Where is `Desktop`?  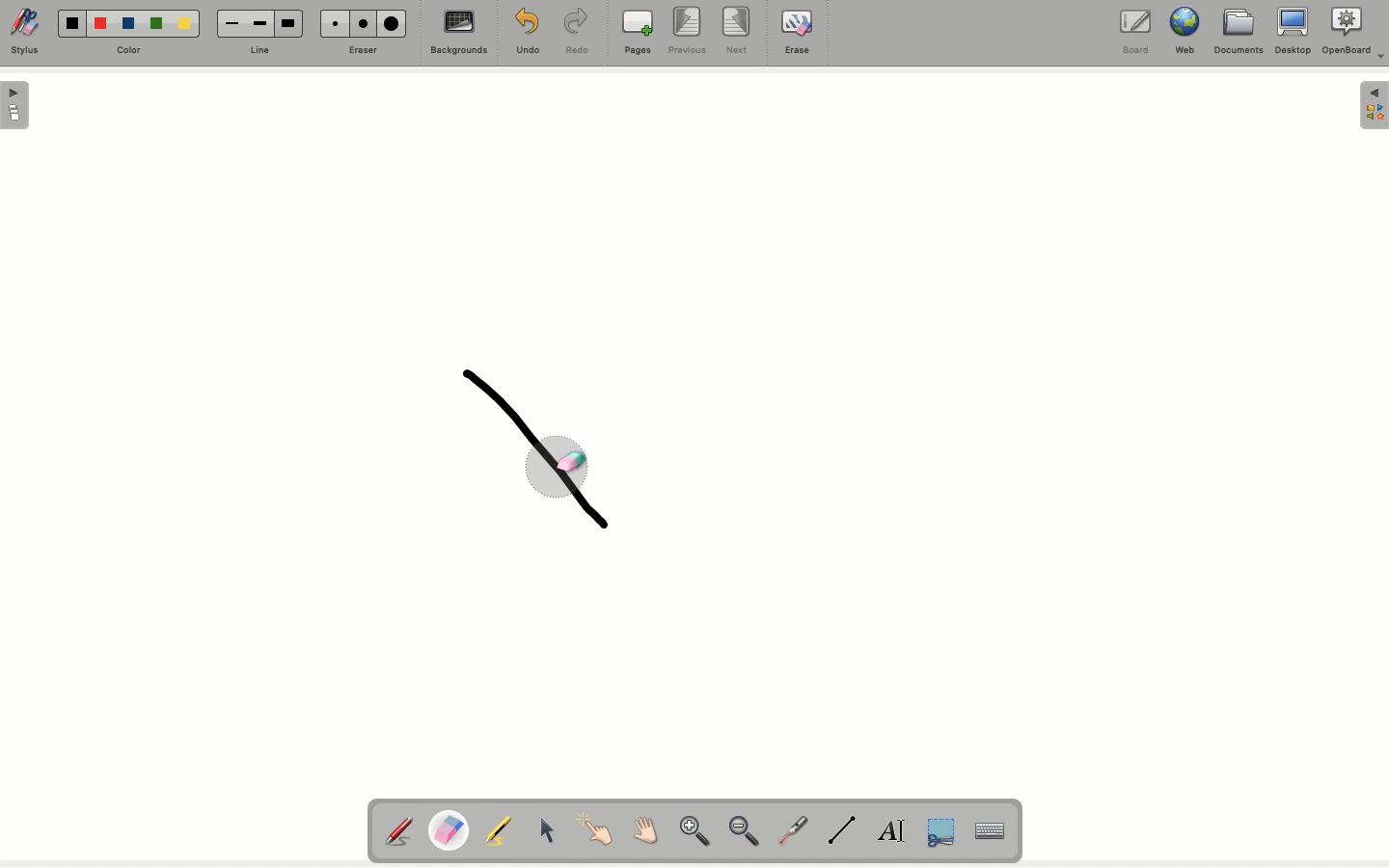
Desktop is located at coordinates (1292, 33).